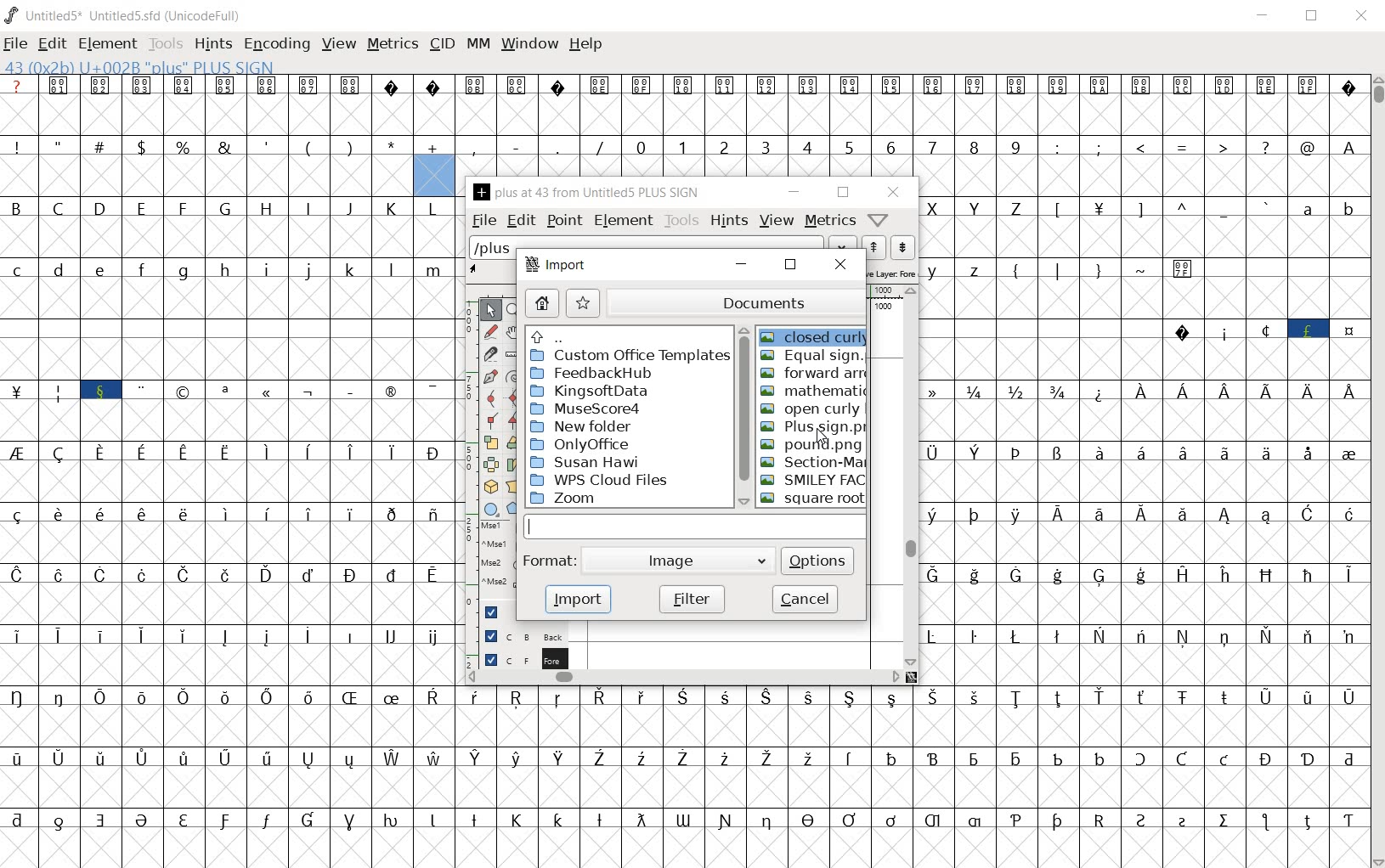 The image size is (1385, 868). What do you see at coordinates (1061, 227) in the screenshot?
I see `L` at bounding box center [1061, 227].